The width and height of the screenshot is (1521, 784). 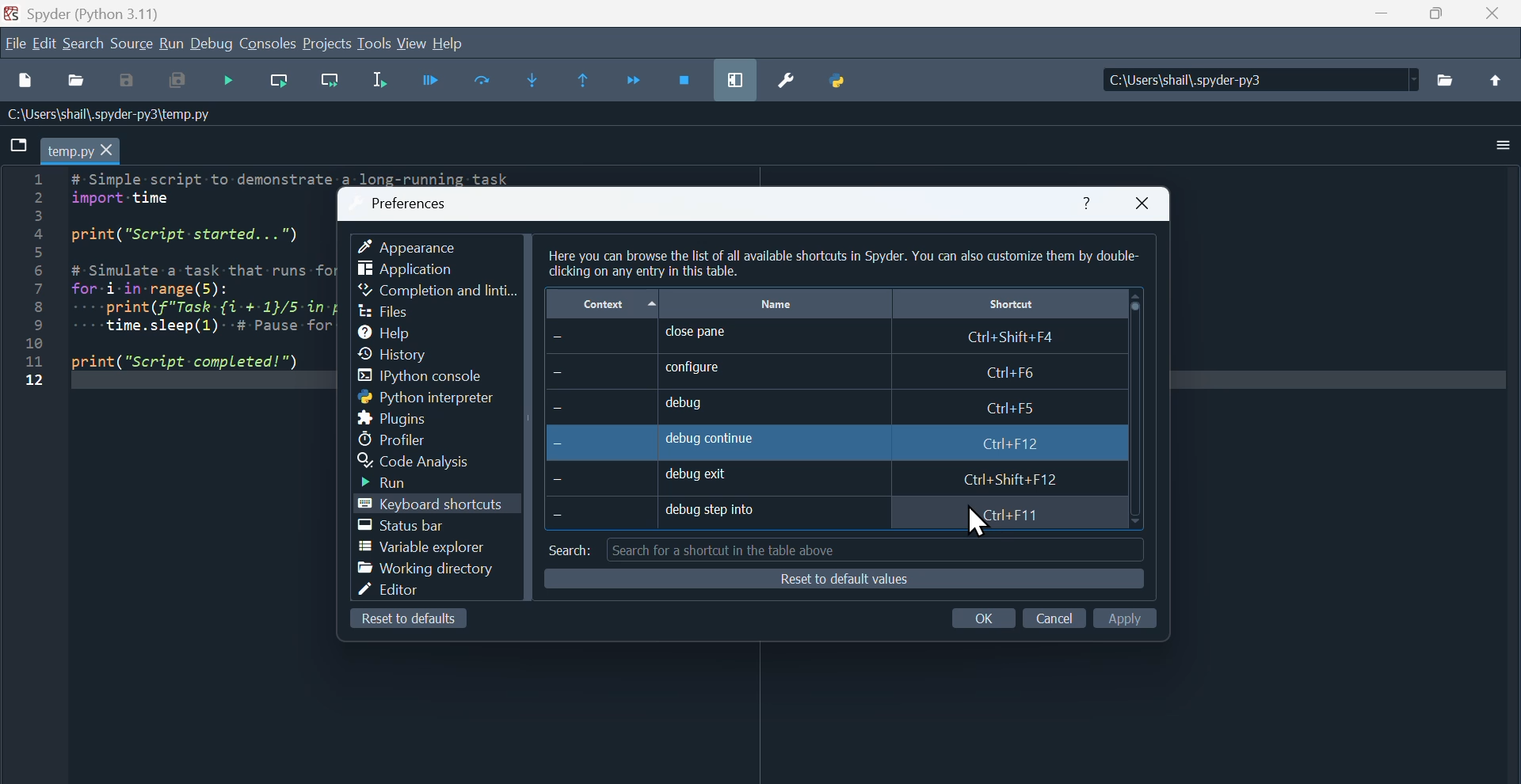 What do you see at coordinates (13, 43) in the screenshot?
I see `File` at bounding box center [13, 43].